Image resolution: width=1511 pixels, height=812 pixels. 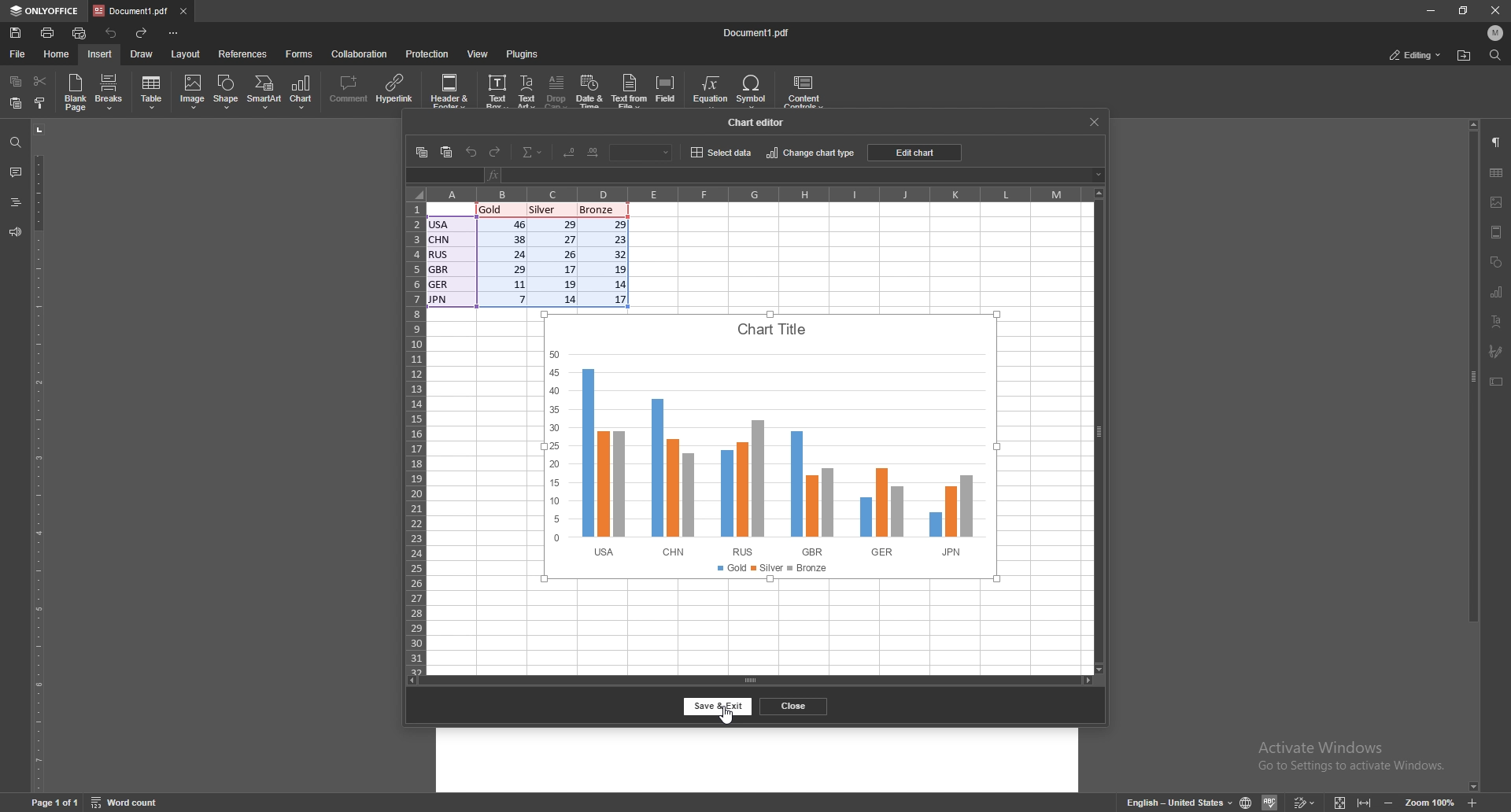 I want to click on headers, so click(x=14, y=201).